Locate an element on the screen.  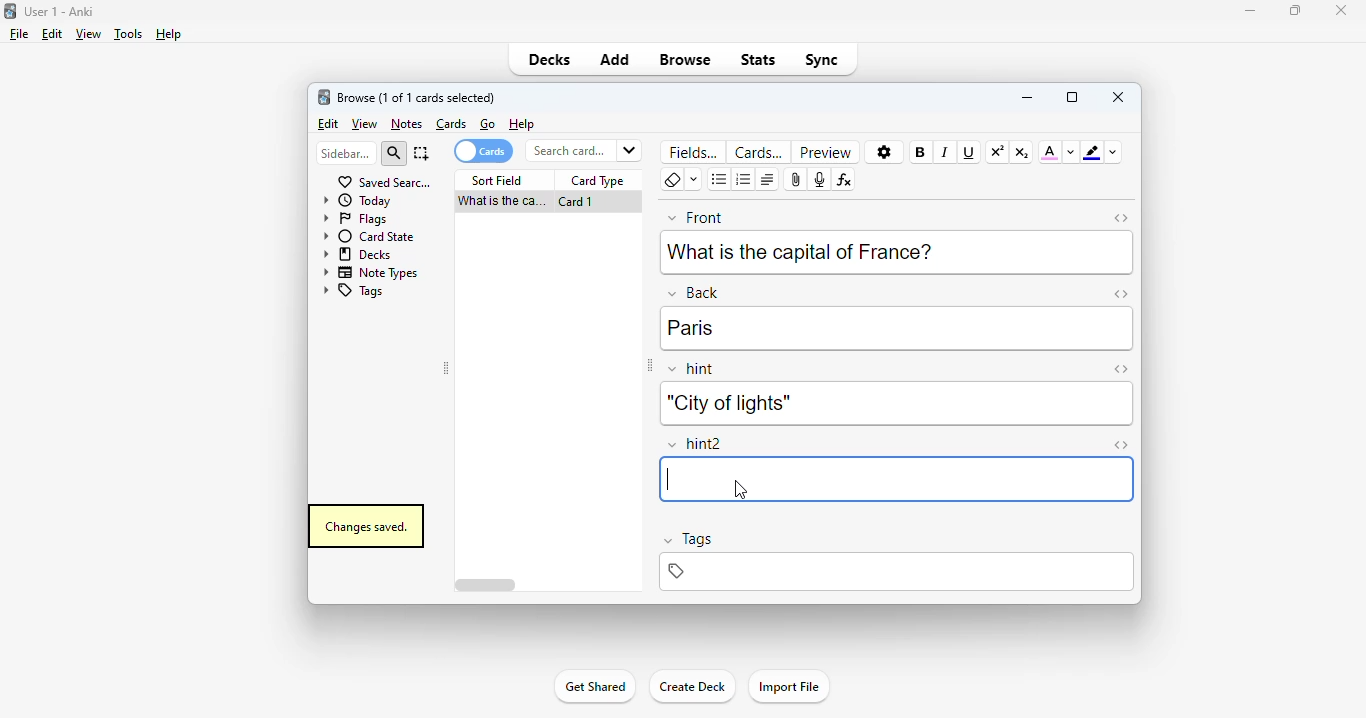
title is located at coordinates (60, 11).